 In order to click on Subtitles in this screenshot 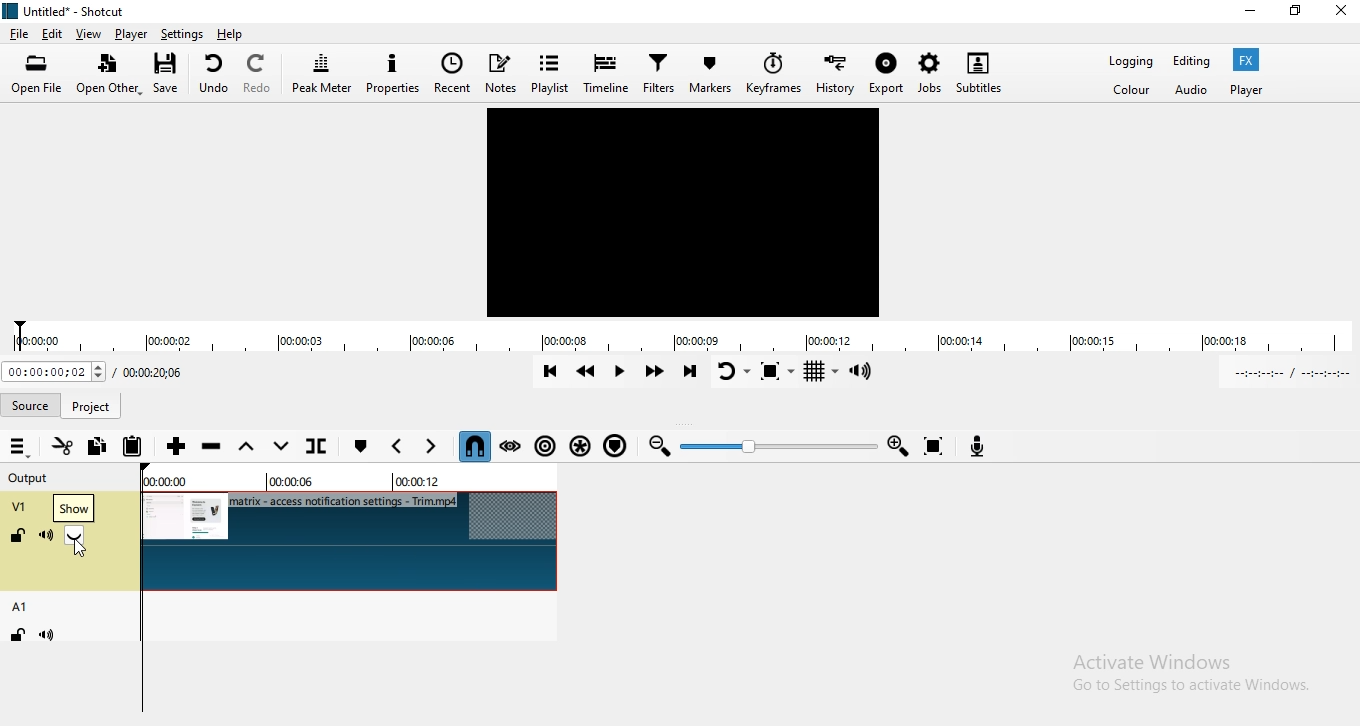, I will do `click(982, 74)`.